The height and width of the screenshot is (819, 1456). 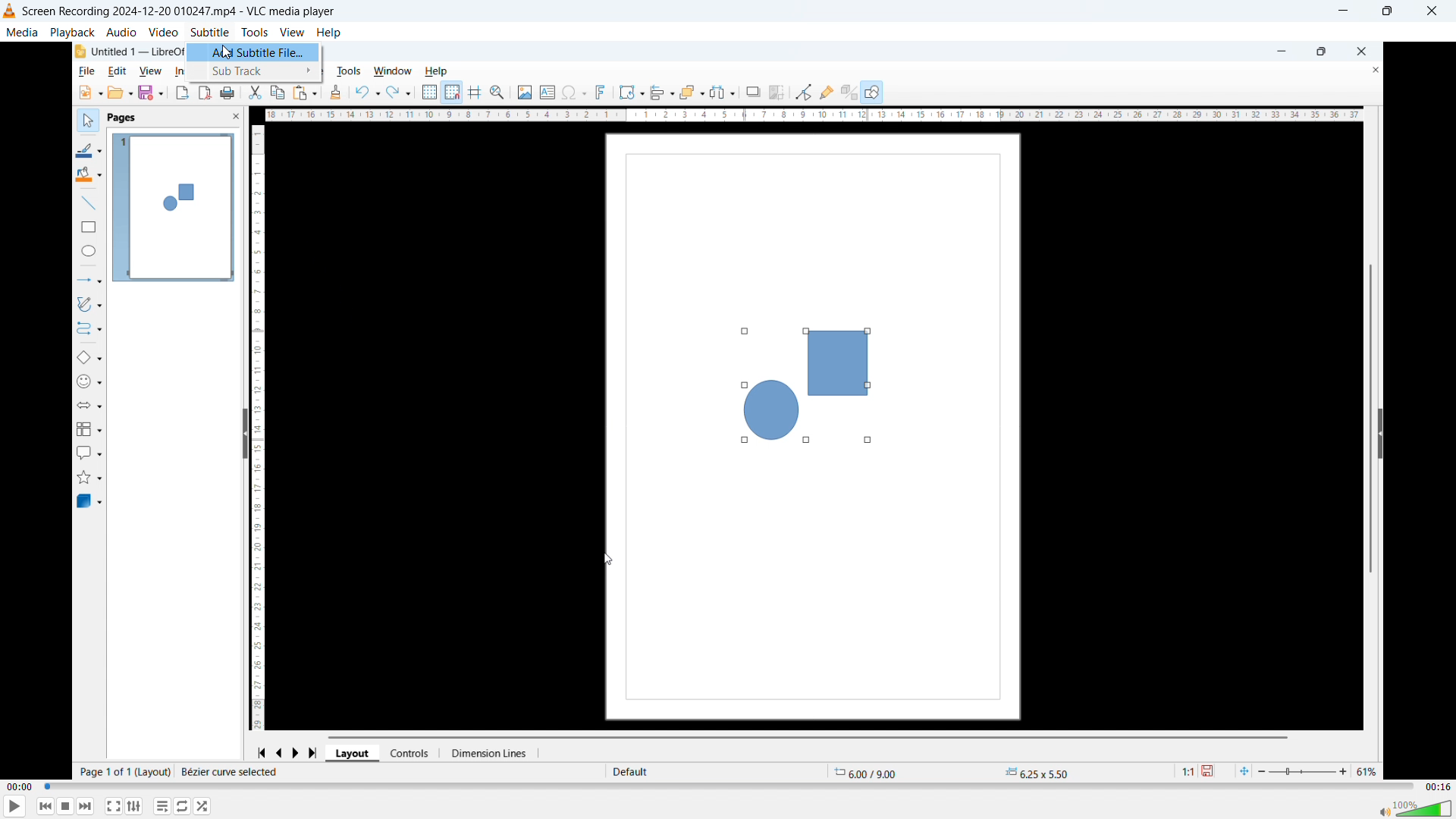 I want to click on ruler, so click(x=262, y=425).